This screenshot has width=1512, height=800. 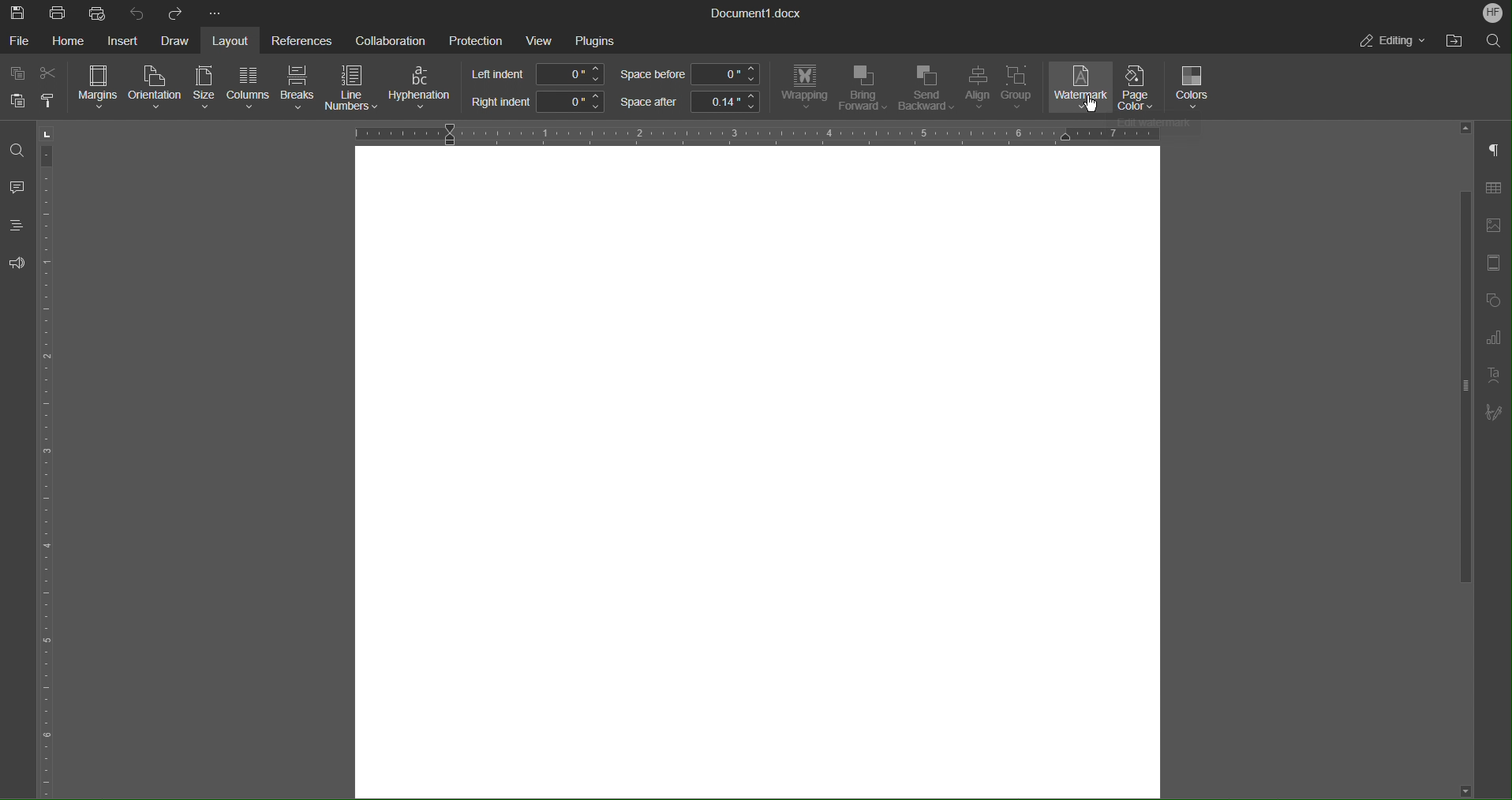 What do you see at coordinates (926, 89) in the screenshot?
I see `Send Backward` at bounding box center [926, 89].